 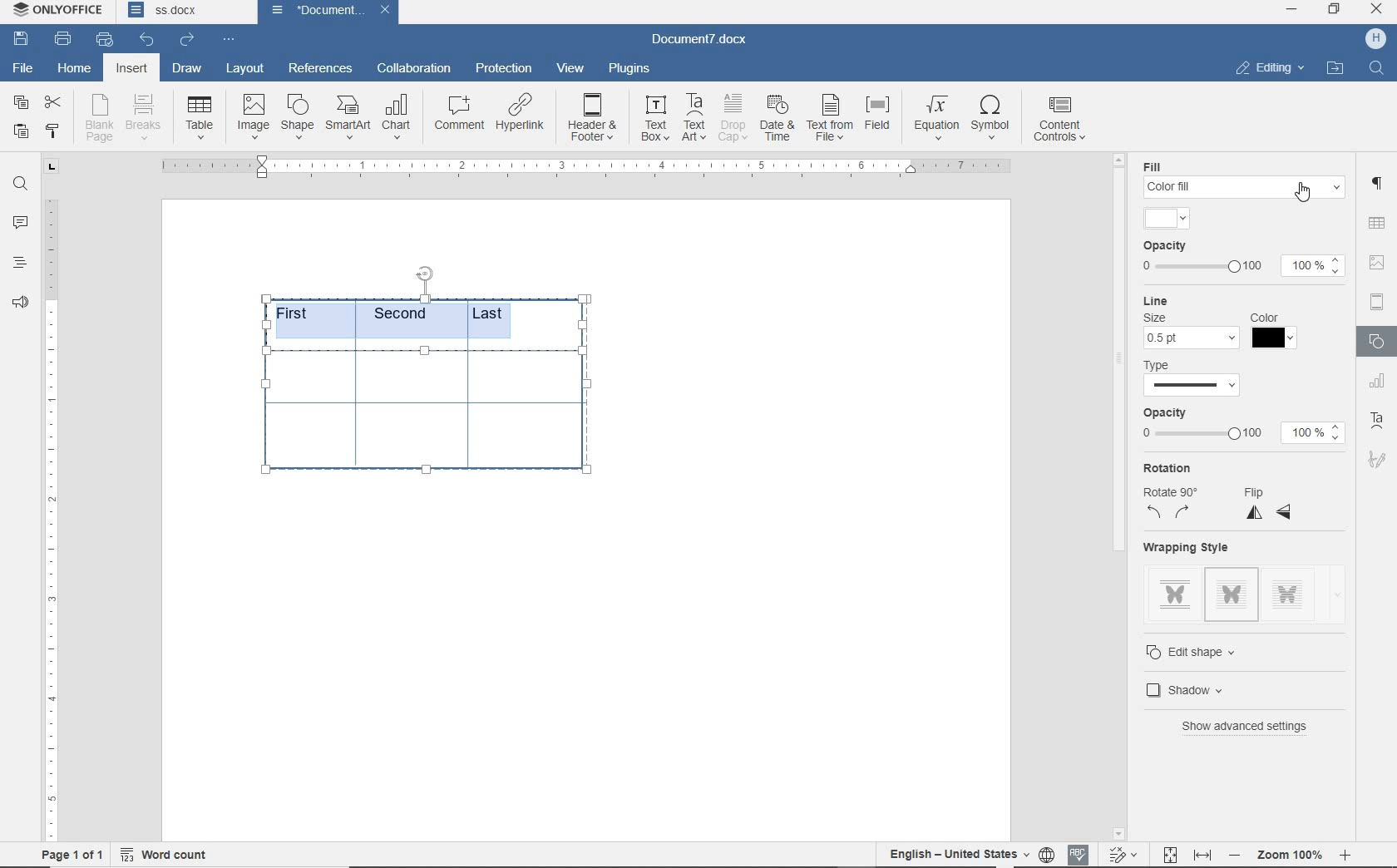 What do you see at coordinates (1177, 505) in the screenshot?
I see `rotate 90 degree` at bounding box center [1177, 505].